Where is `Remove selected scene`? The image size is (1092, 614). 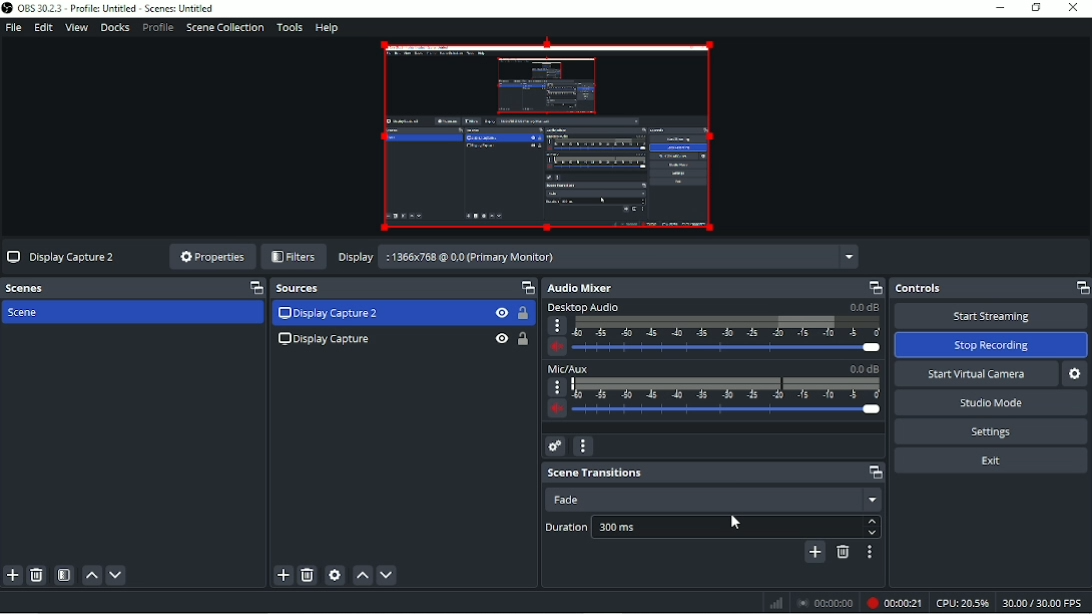
Remove selected scene is located at coordinates (37, 575).